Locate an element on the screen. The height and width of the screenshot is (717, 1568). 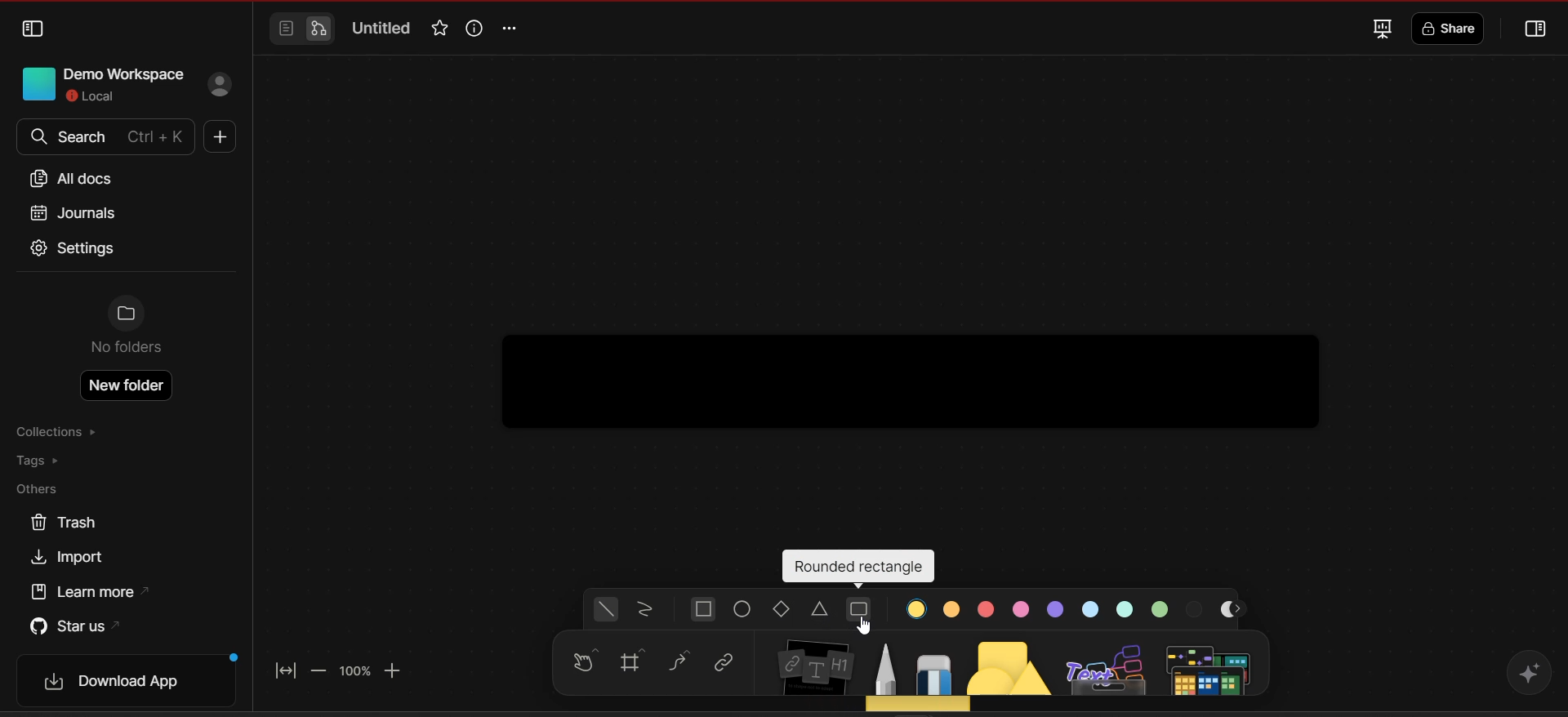
color 5 is located at coordinates (1056, 608).